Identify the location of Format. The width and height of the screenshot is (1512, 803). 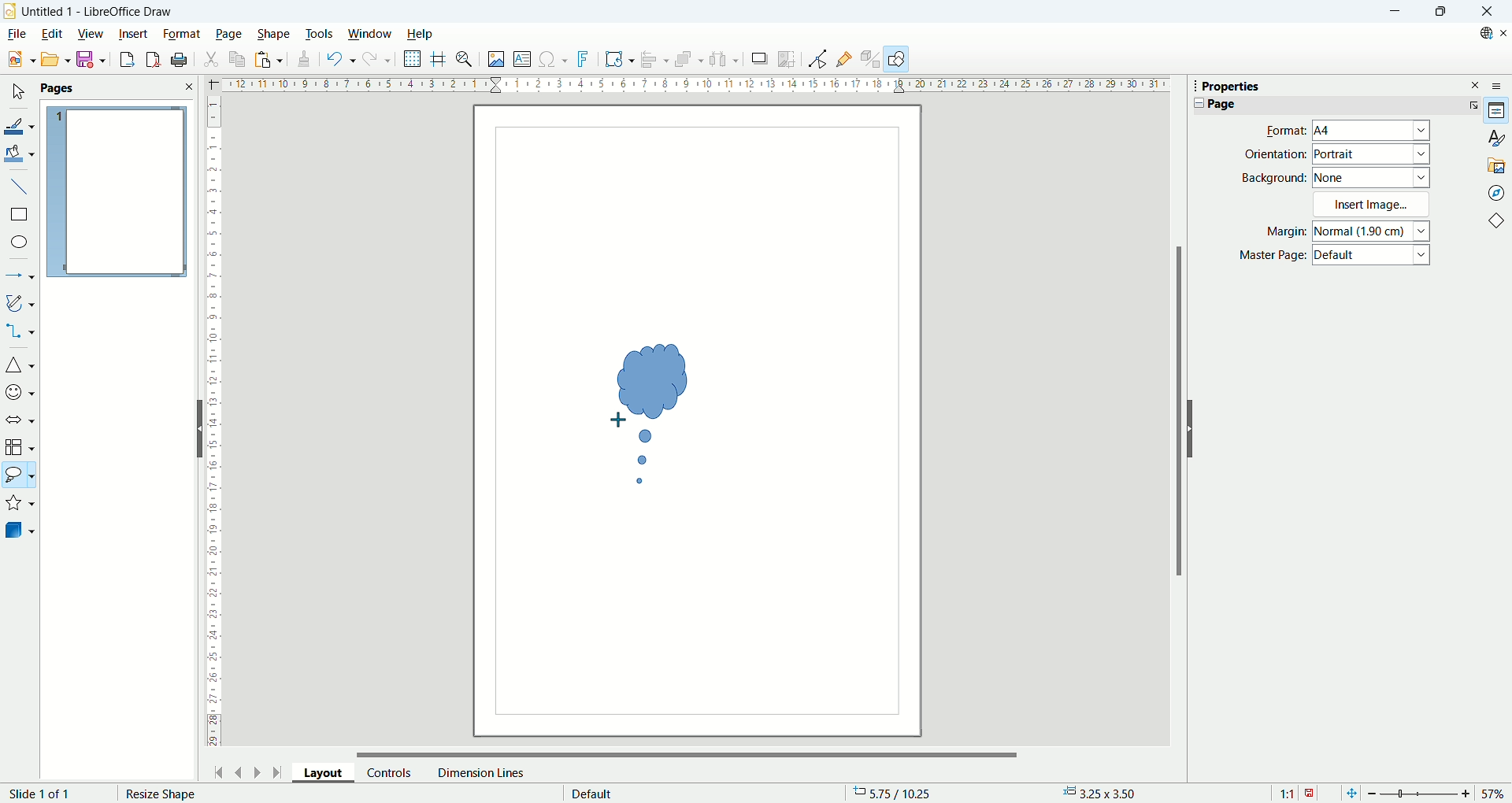
(1281, 130).